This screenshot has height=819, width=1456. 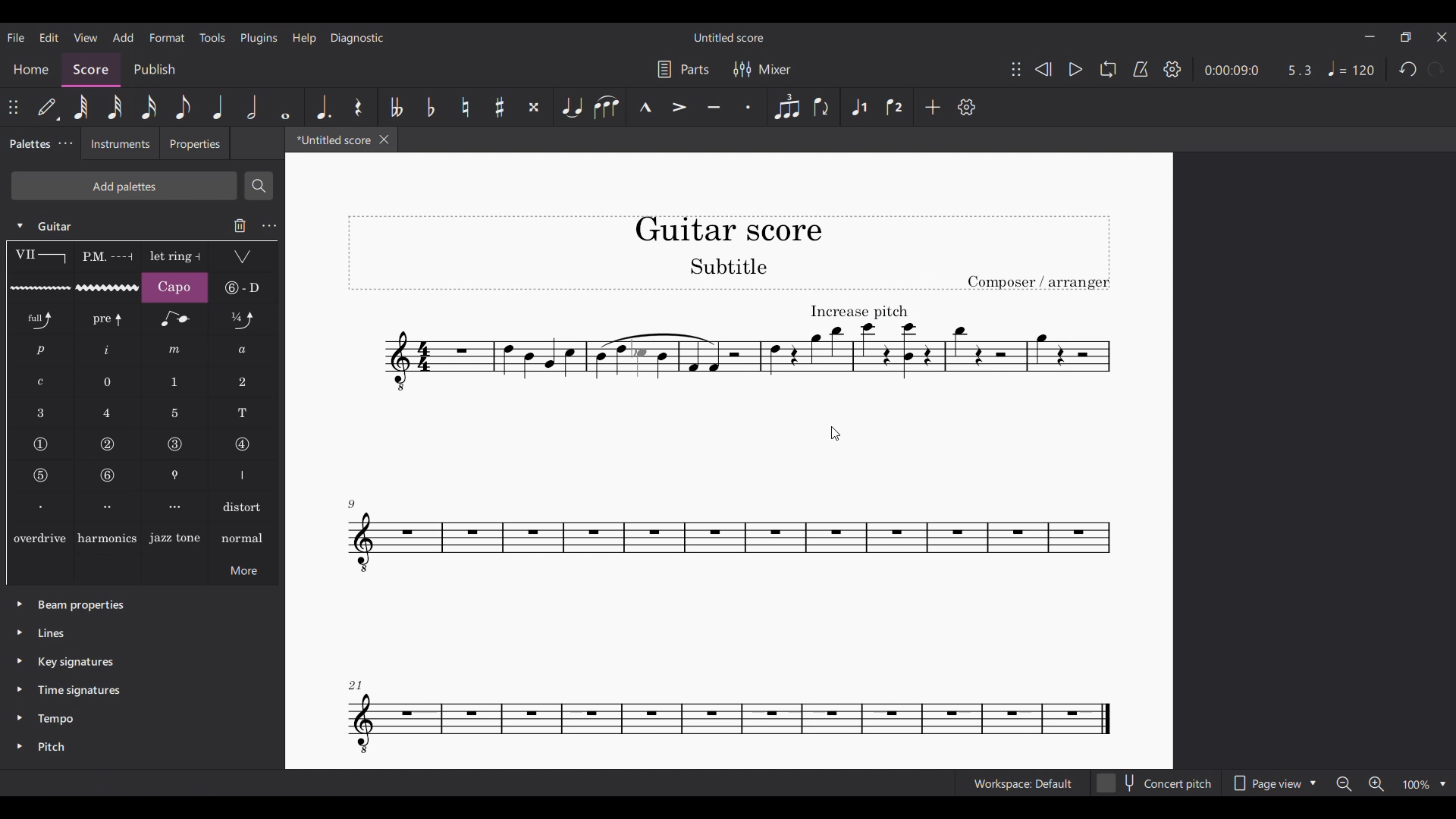 I want to click on Slur, so click(x=606, y=107).